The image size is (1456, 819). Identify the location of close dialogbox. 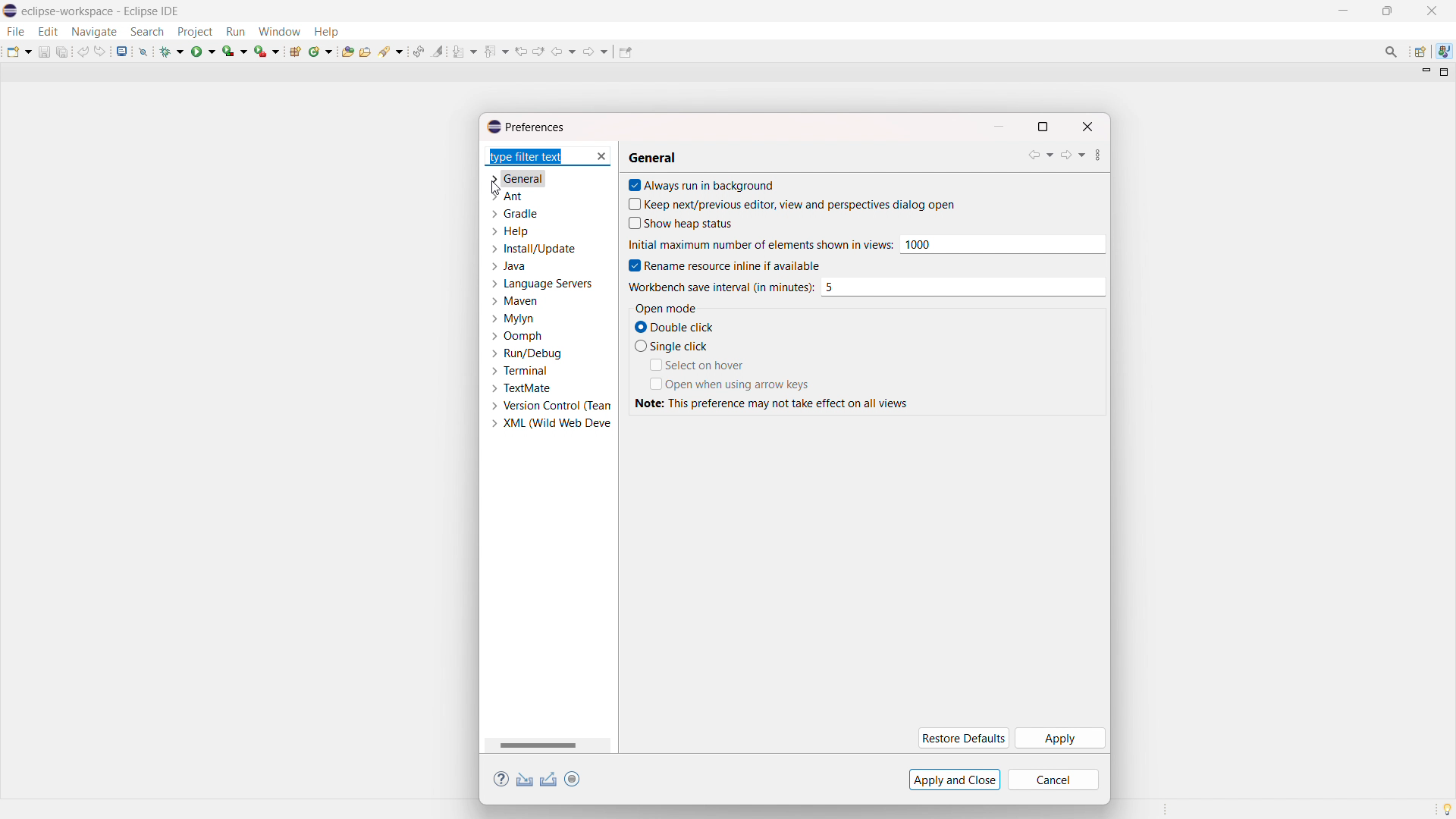
(1087, 127).